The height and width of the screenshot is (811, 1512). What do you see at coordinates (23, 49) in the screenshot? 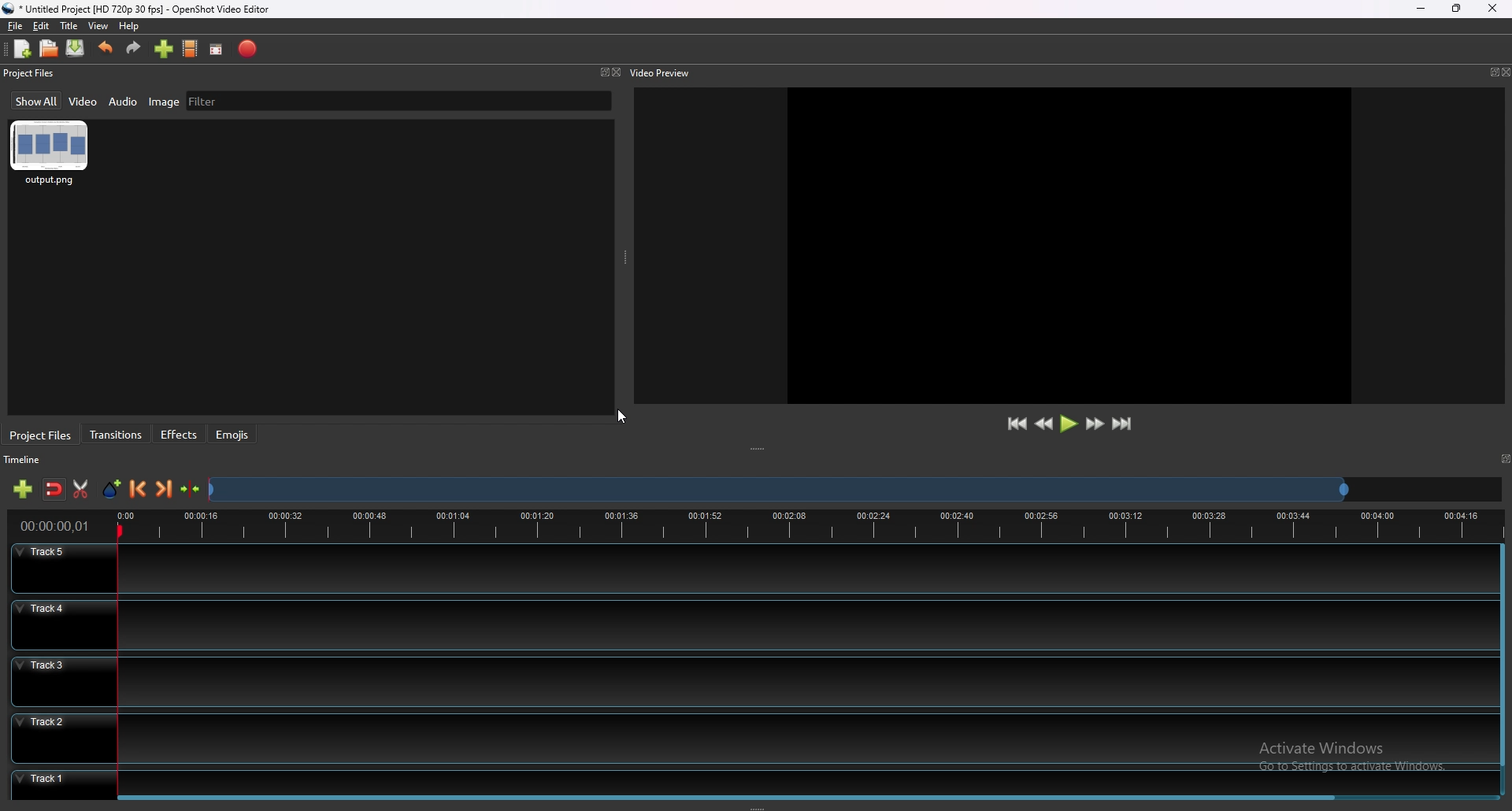
I see `new project` at bounding box center [23, 49].